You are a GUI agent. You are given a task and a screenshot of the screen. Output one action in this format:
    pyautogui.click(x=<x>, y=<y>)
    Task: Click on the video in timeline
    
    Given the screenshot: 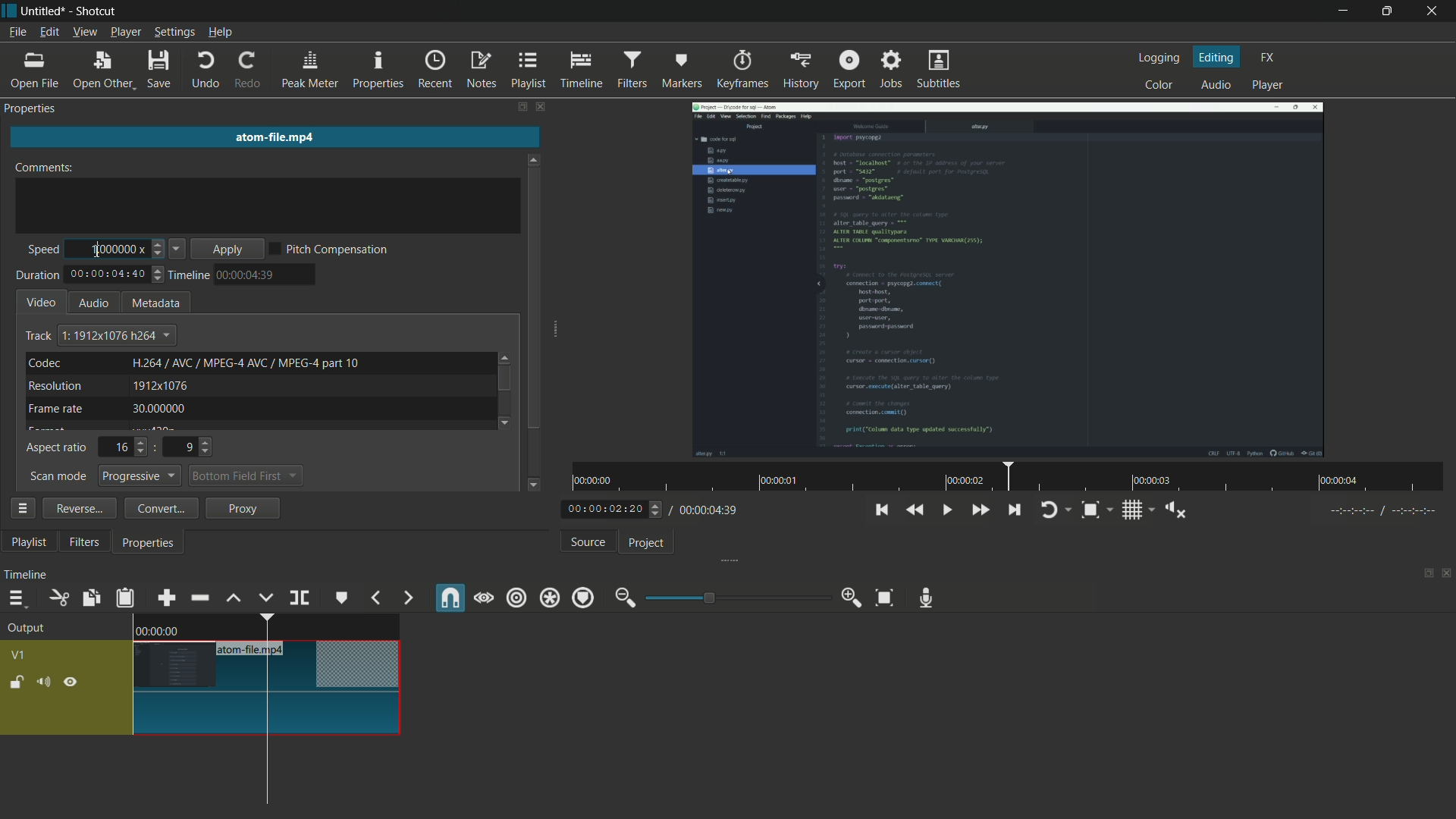 What is the action you would take?
    pyautogui.click(x=268, y=675)
    